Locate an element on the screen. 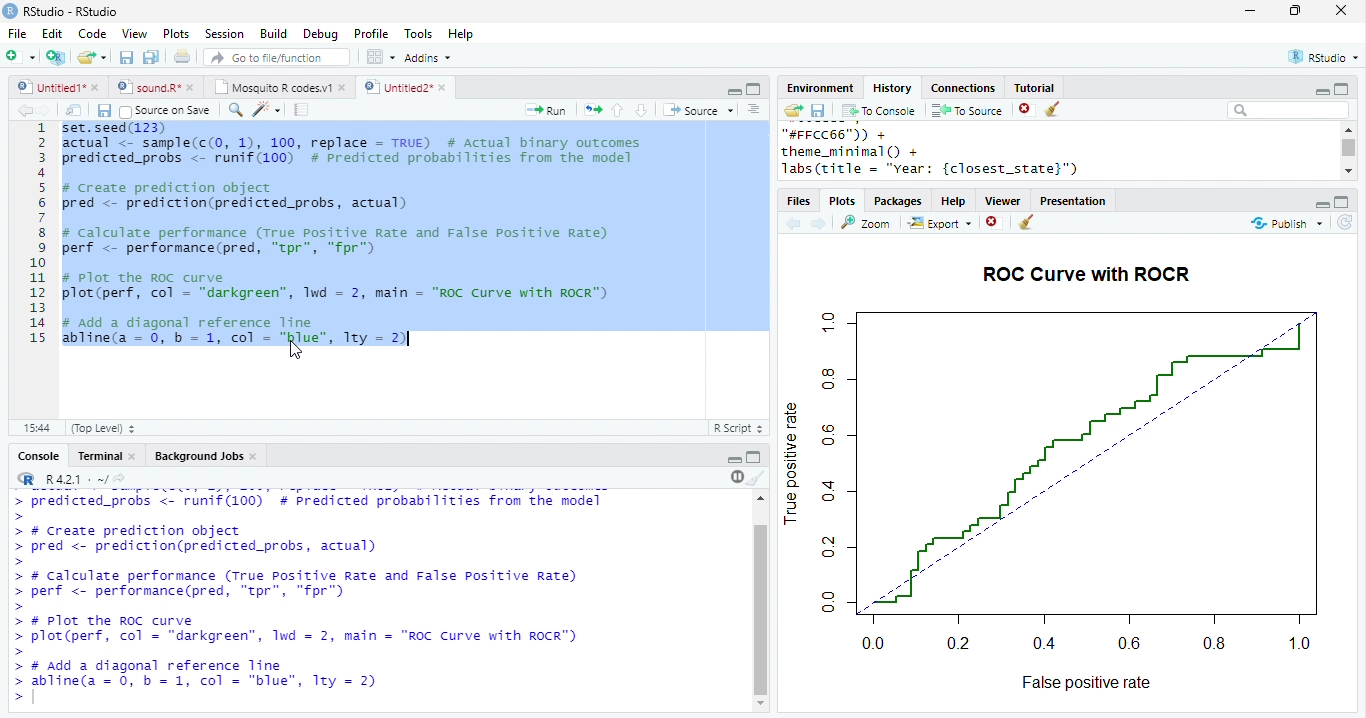 This screenshot has height=718, width=1366. # Plot the ROC curveplot(perf, col - "darkgreen”, 1wd = 2, main = "ROC Curve with ROCR") is located at coordinates (338, 287).